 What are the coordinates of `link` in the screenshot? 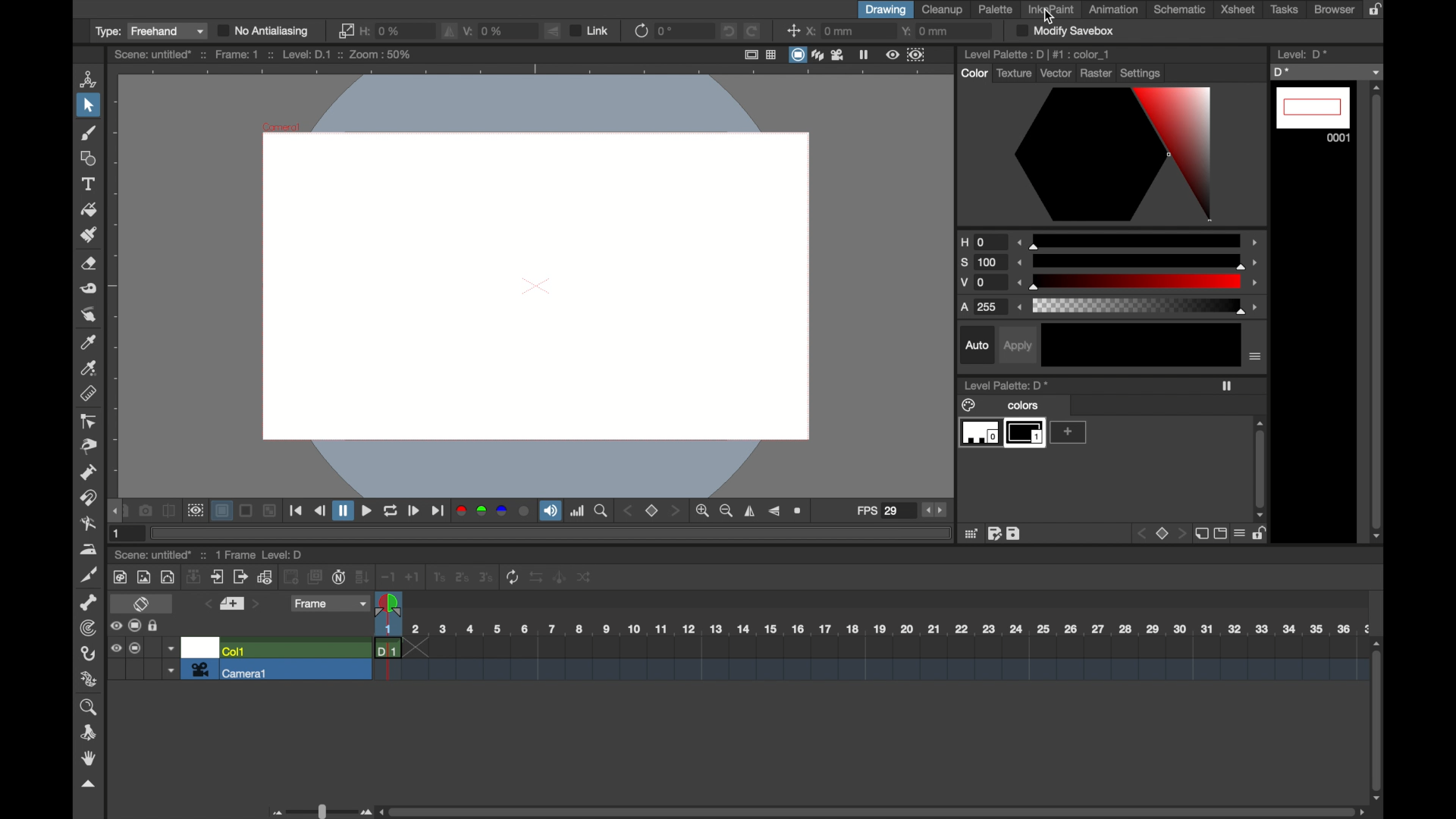 It's located at (591, 31).